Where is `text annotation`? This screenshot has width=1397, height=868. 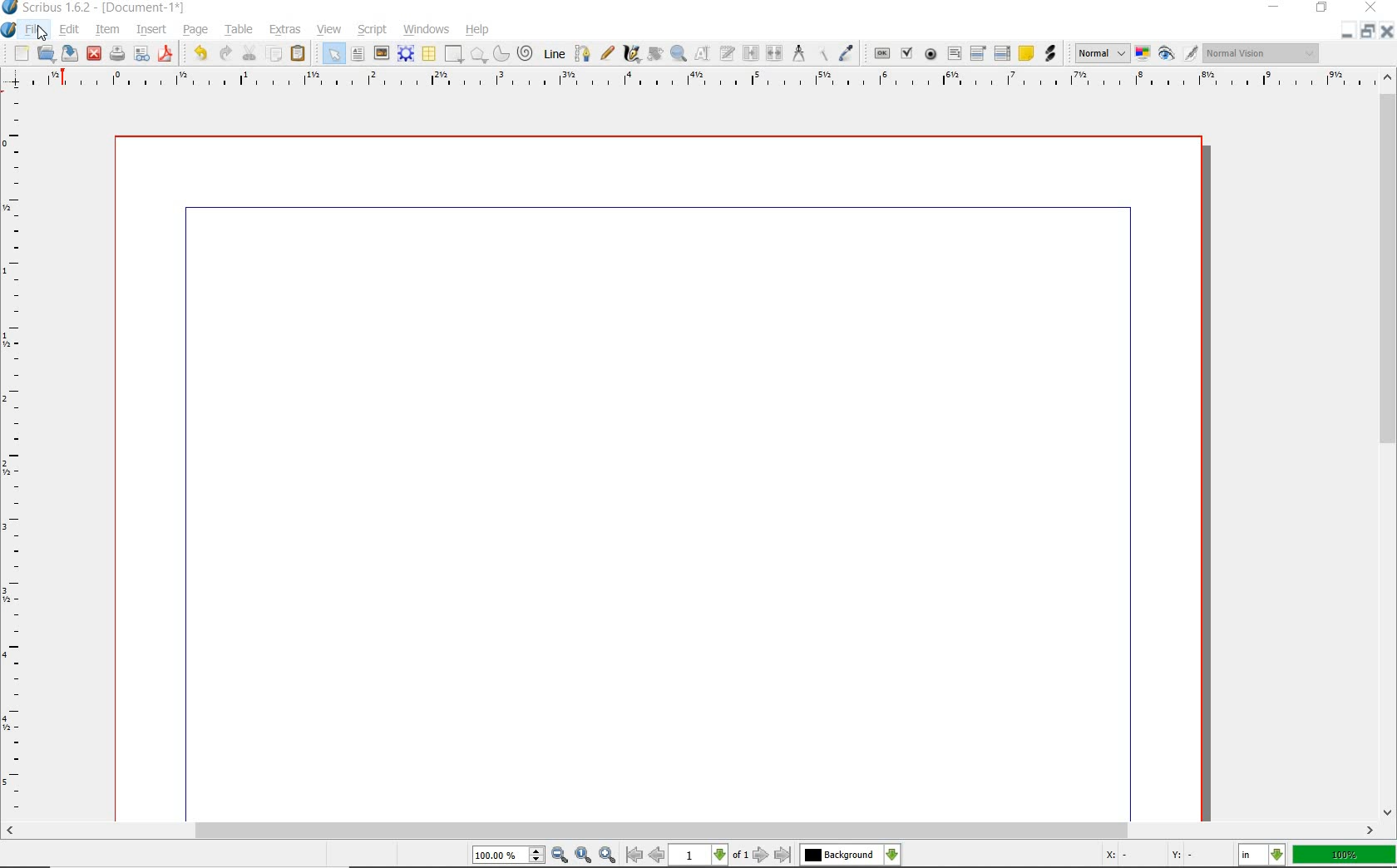
text annotation is located at coordinates (1025, 54).